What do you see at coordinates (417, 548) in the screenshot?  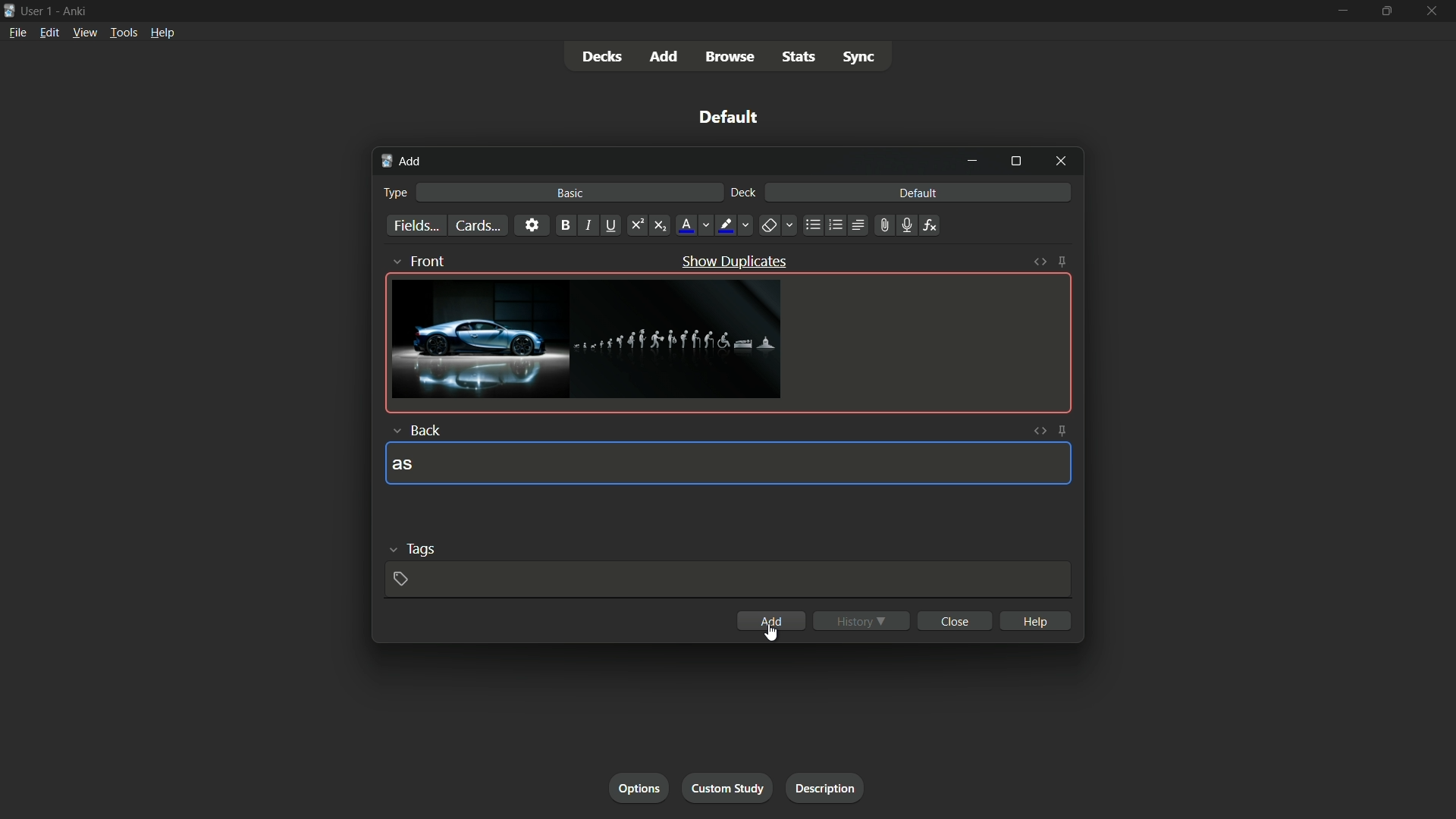 I see `tags` at bounding box center [417, 548].